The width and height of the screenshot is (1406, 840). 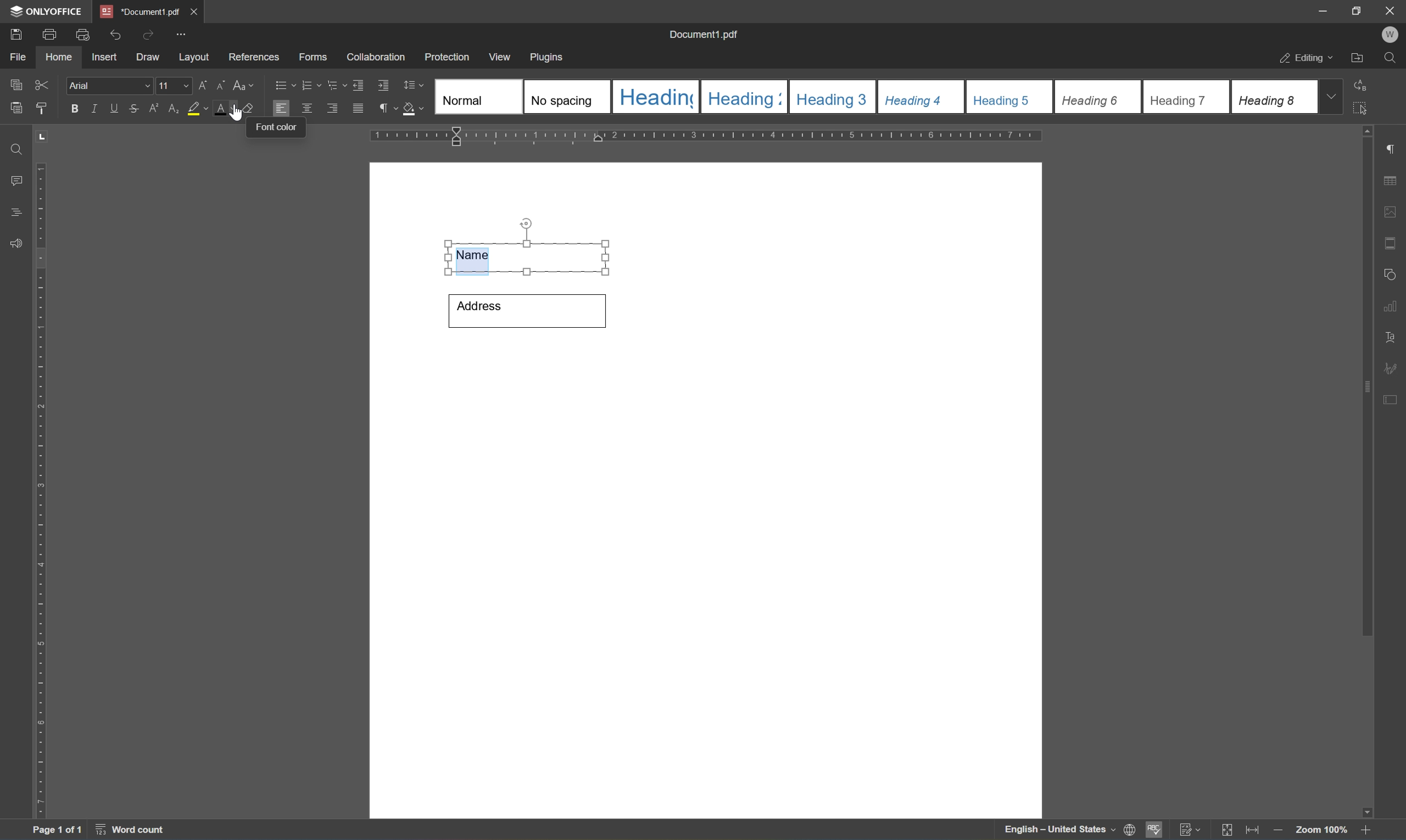 What do you see at coordinates (15, 84) in the screenshot?
I see `copy` at bounding box center [15, 84].